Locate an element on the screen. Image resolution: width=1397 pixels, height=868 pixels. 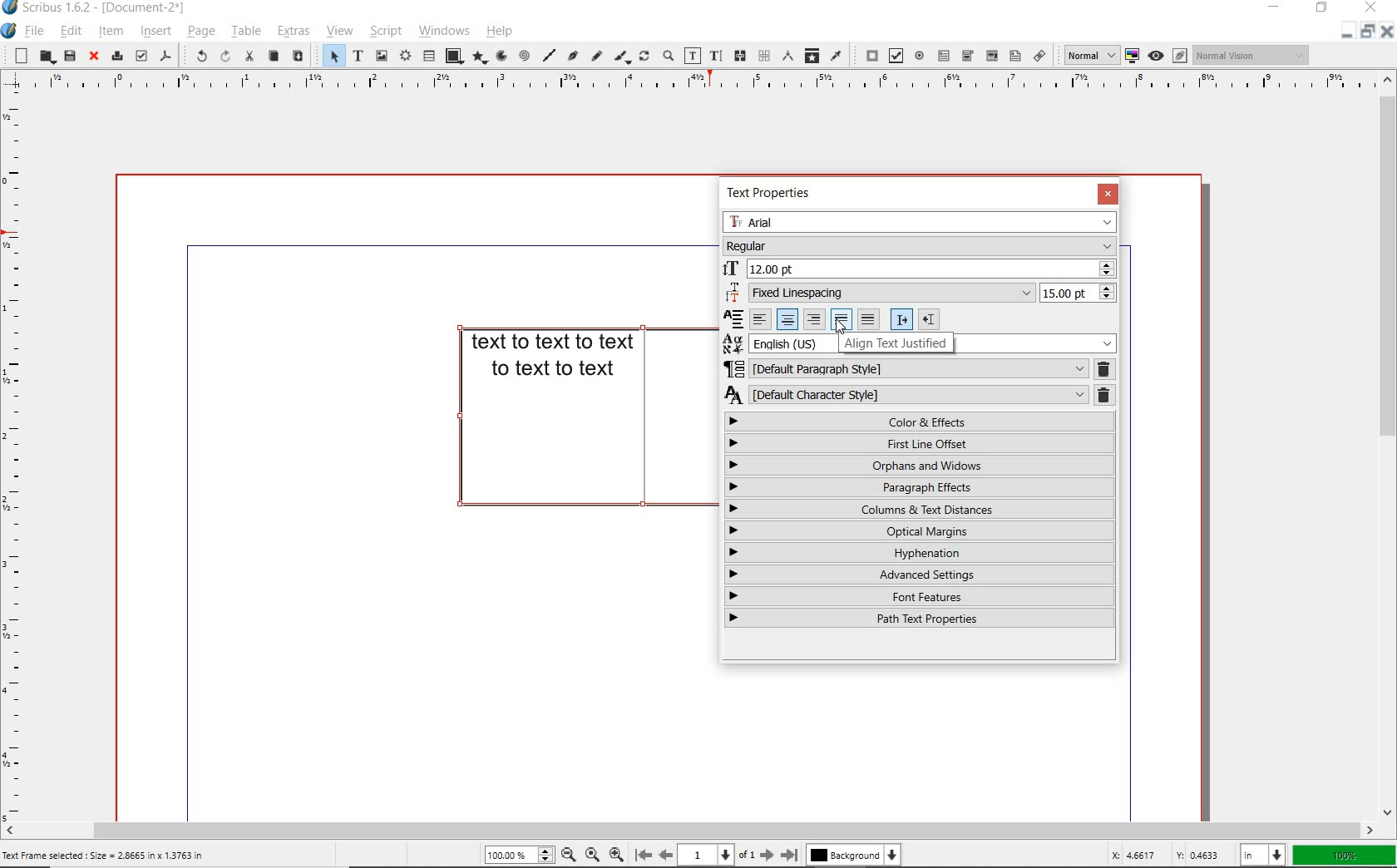
edit text with story editor is located at coordinates (715, 57).